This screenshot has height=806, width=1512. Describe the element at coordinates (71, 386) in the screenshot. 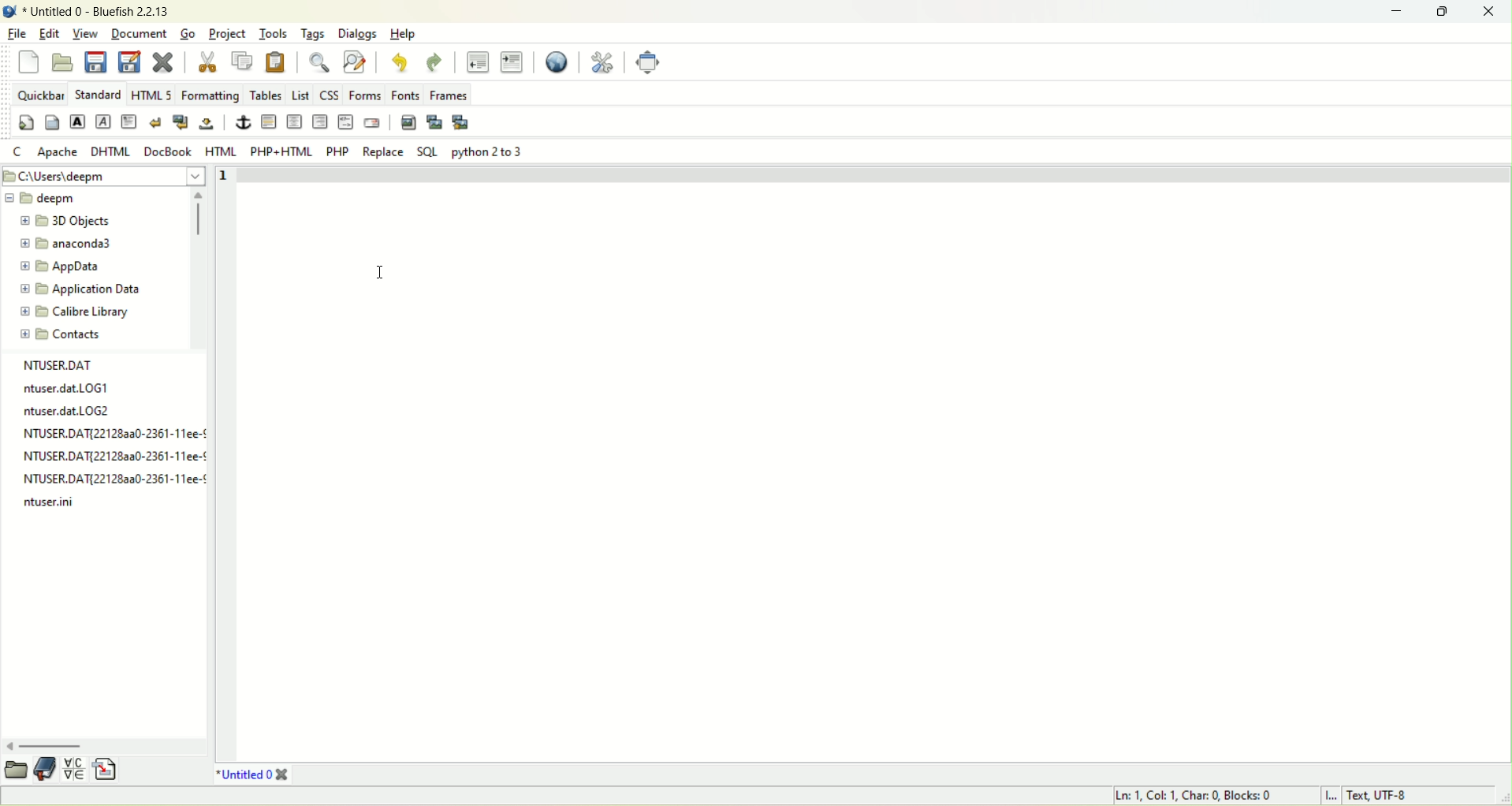

I see `ntuser.dat.LOG1` at that location.